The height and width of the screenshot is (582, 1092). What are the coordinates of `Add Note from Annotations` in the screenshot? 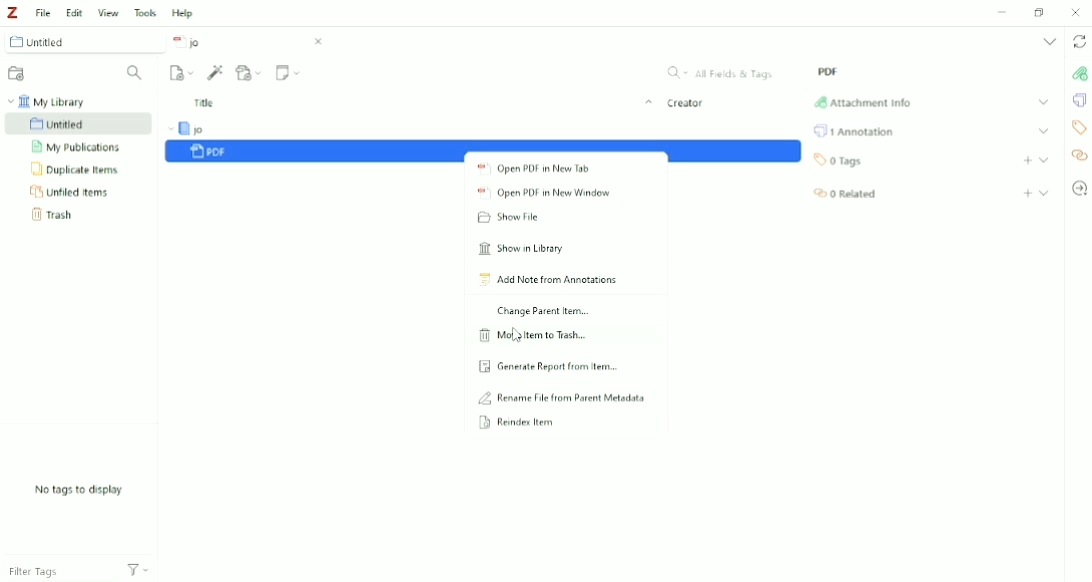 It's located at (548, 281).